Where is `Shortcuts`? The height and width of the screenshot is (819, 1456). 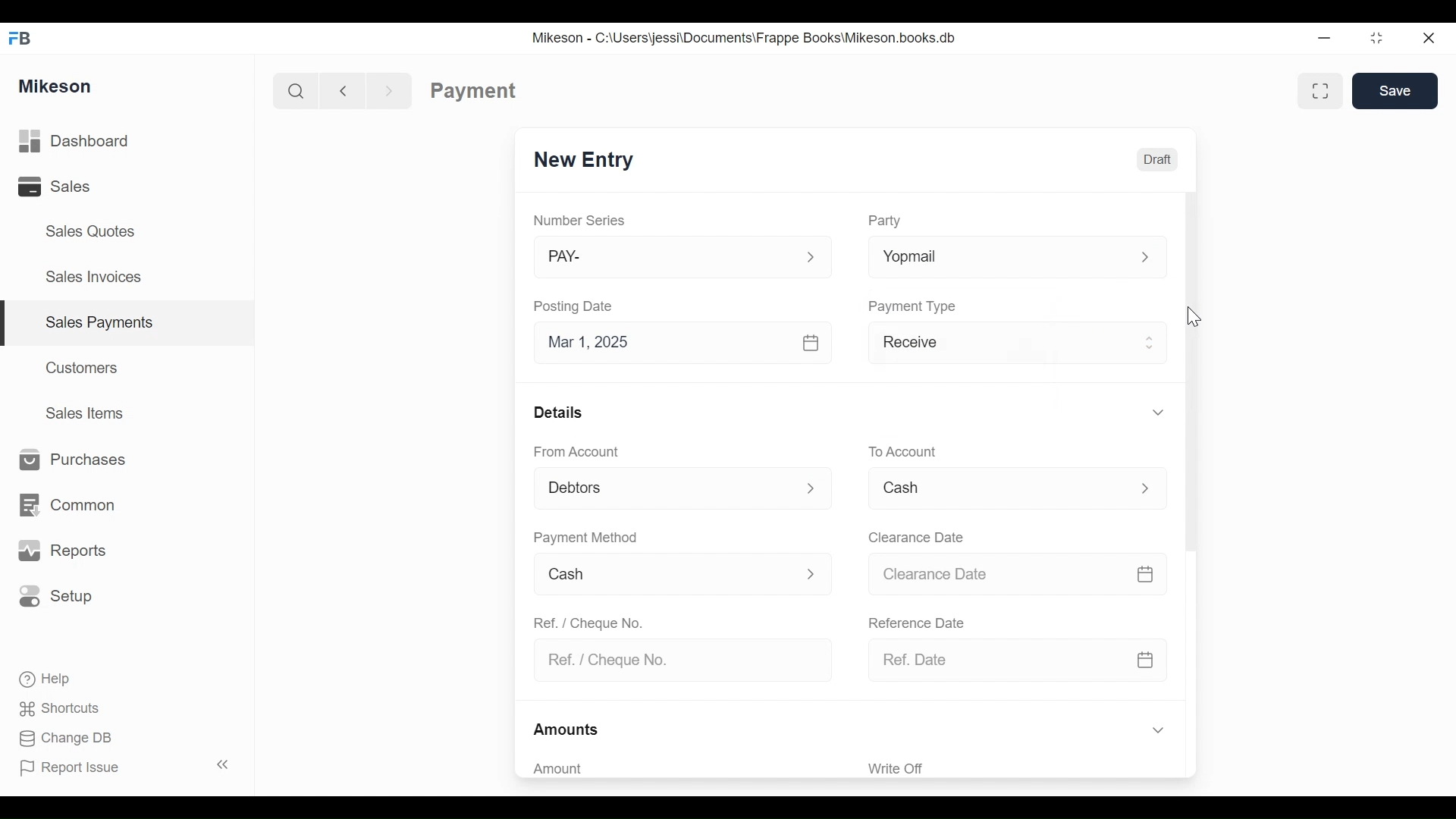 Shortcuts is located at coordinates (66, 704).